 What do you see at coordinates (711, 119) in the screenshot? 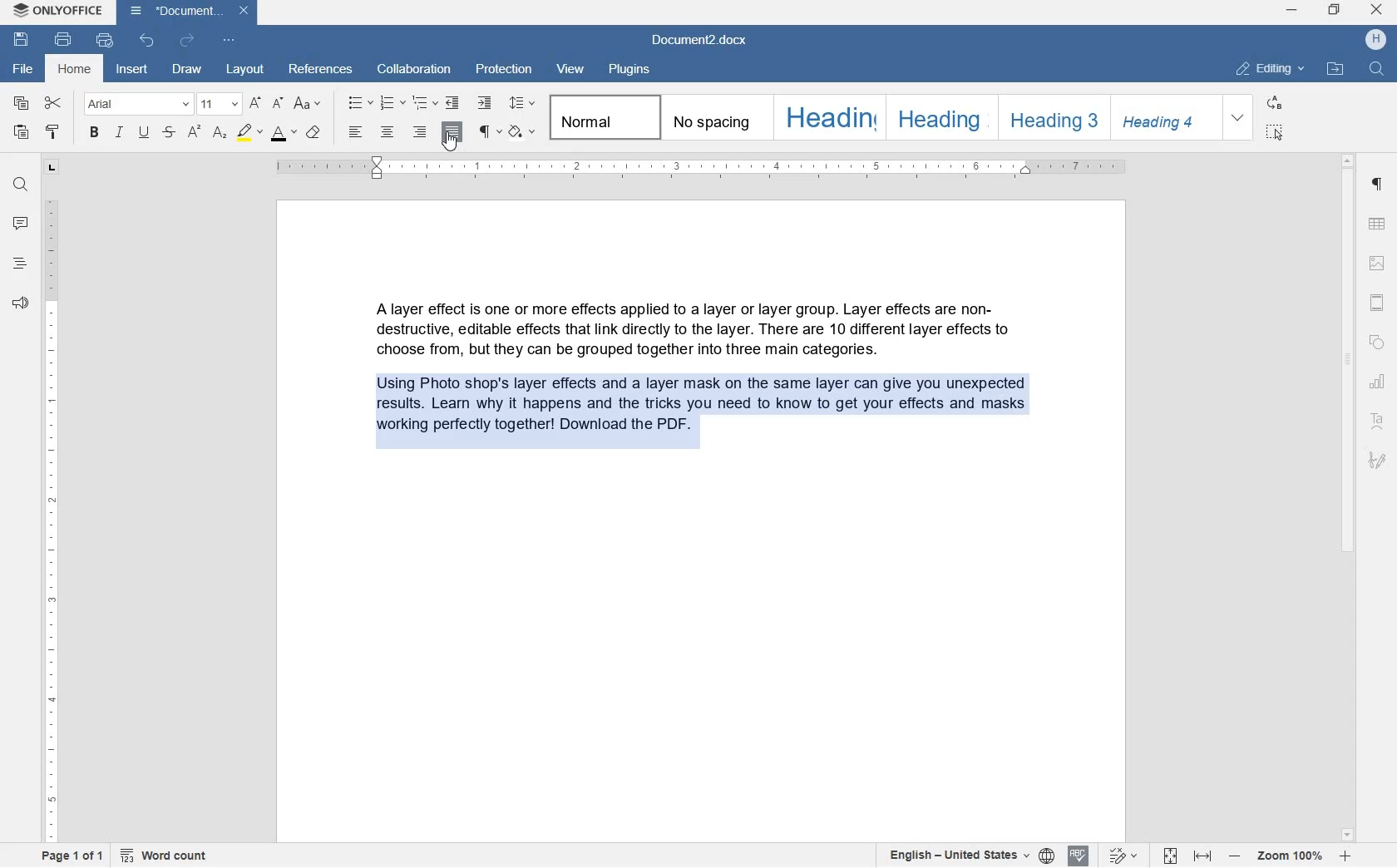
I see `NO SPACING` at bounding box center [711, 119].